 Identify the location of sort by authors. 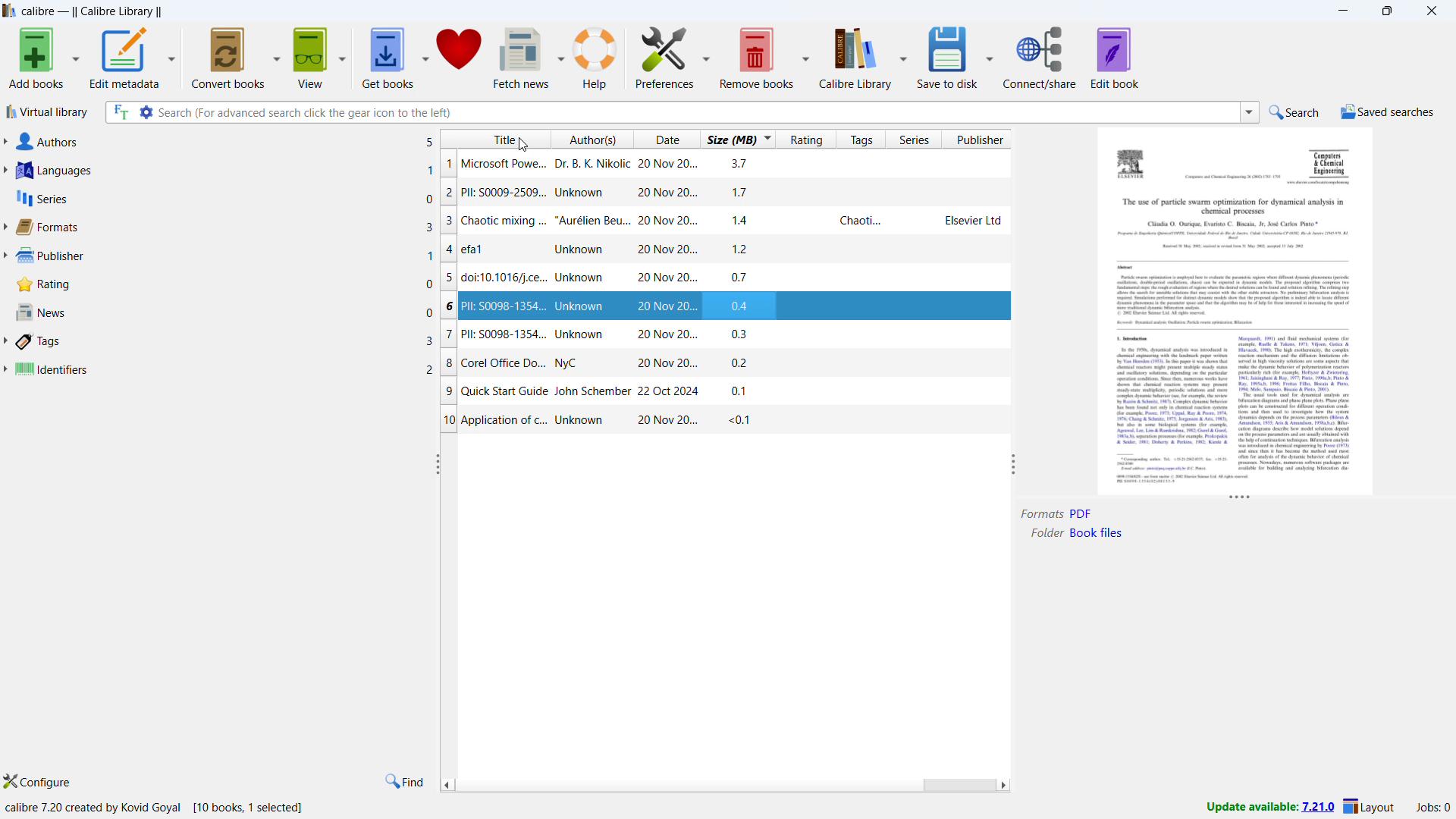
(593, 138).